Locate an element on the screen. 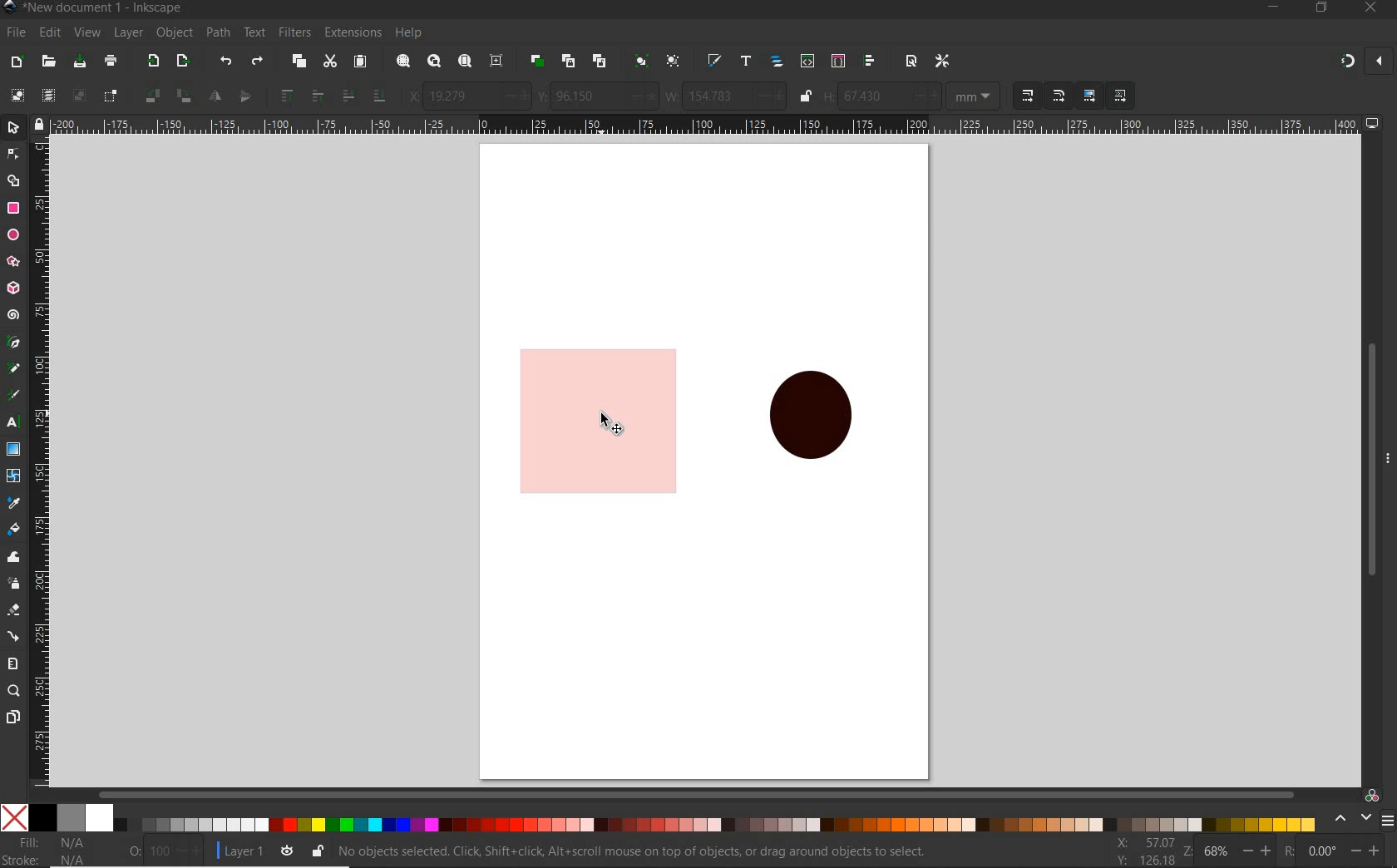 The image size is (1397, 868). new is located at coordinates (17, 63).